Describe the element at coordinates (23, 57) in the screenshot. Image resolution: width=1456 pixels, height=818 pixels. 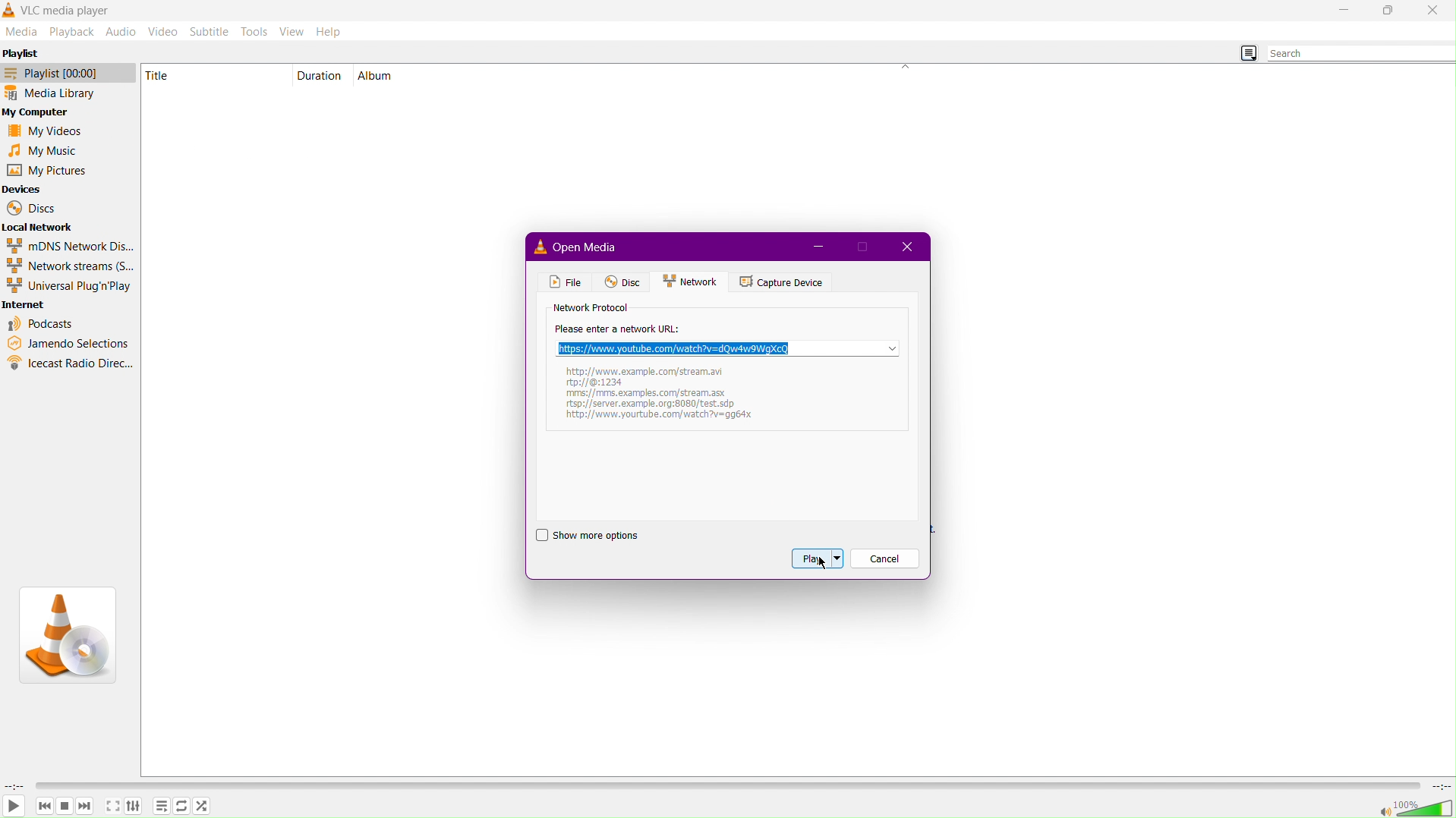
I see `Playlist` at that location.